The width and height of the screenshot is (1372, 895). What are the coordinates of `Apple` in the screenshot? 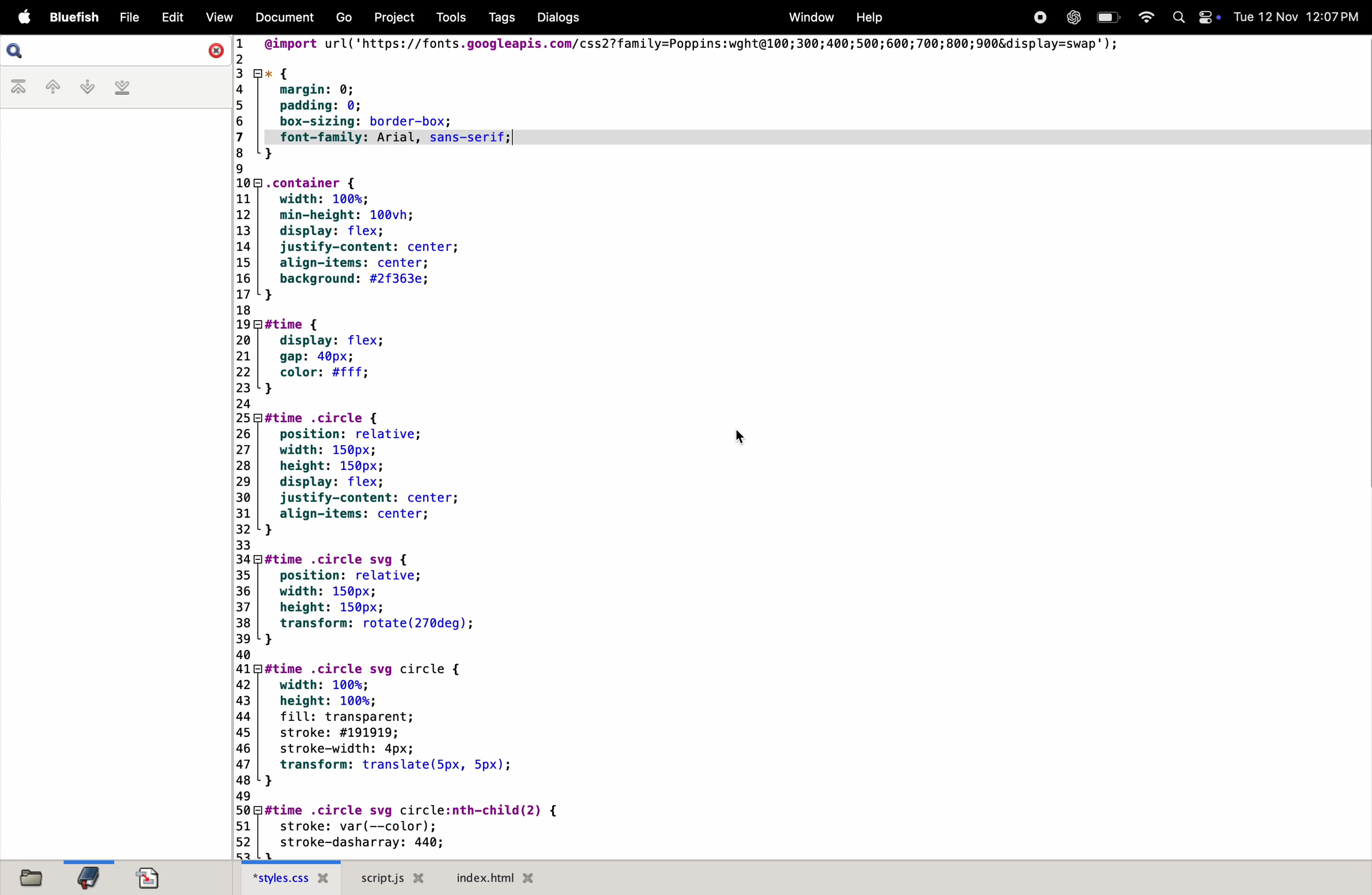 It's located at (24, 17).